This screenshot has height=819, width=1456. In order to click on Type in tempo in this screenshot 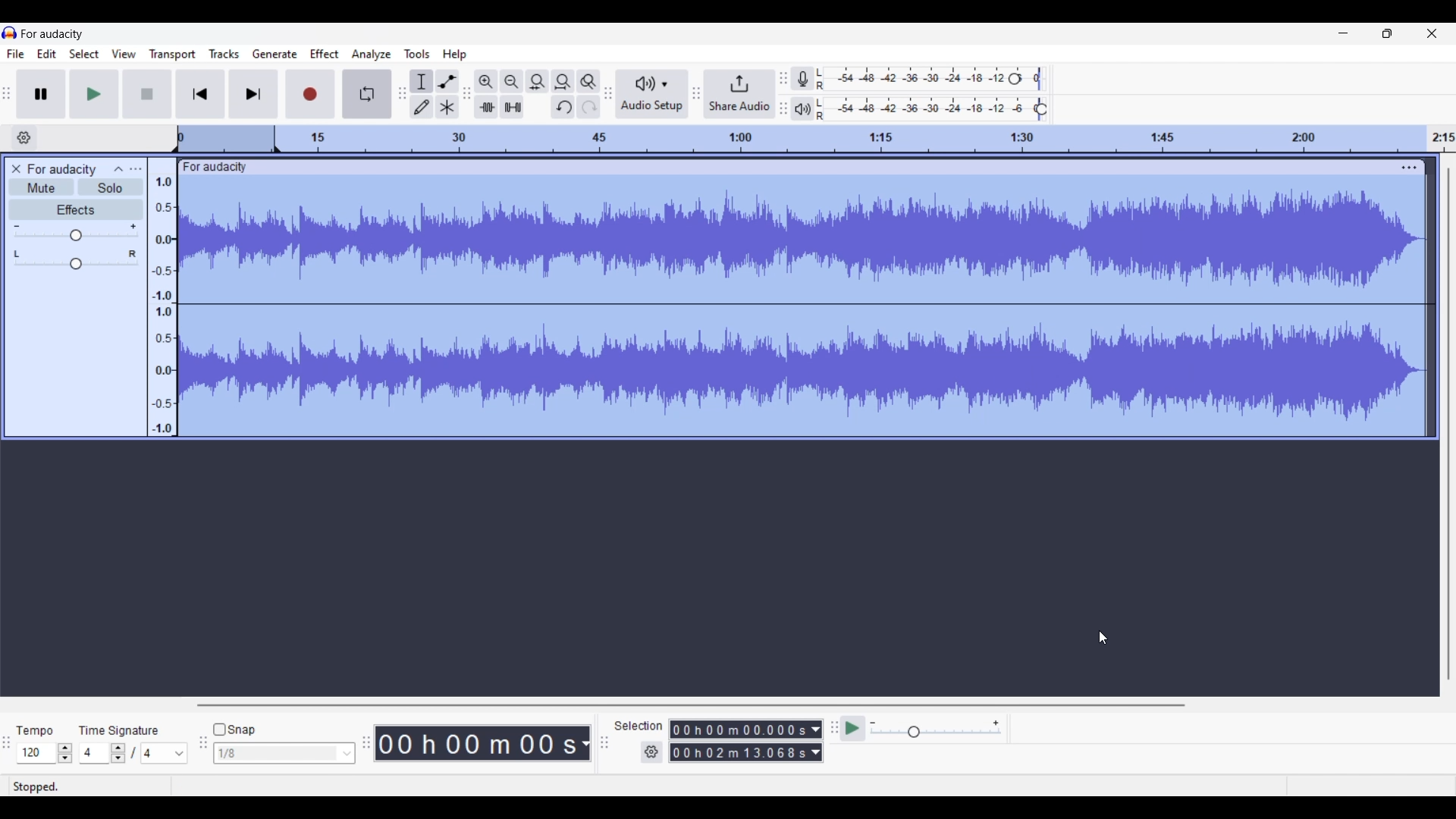, I will do `click(36, 753)`.